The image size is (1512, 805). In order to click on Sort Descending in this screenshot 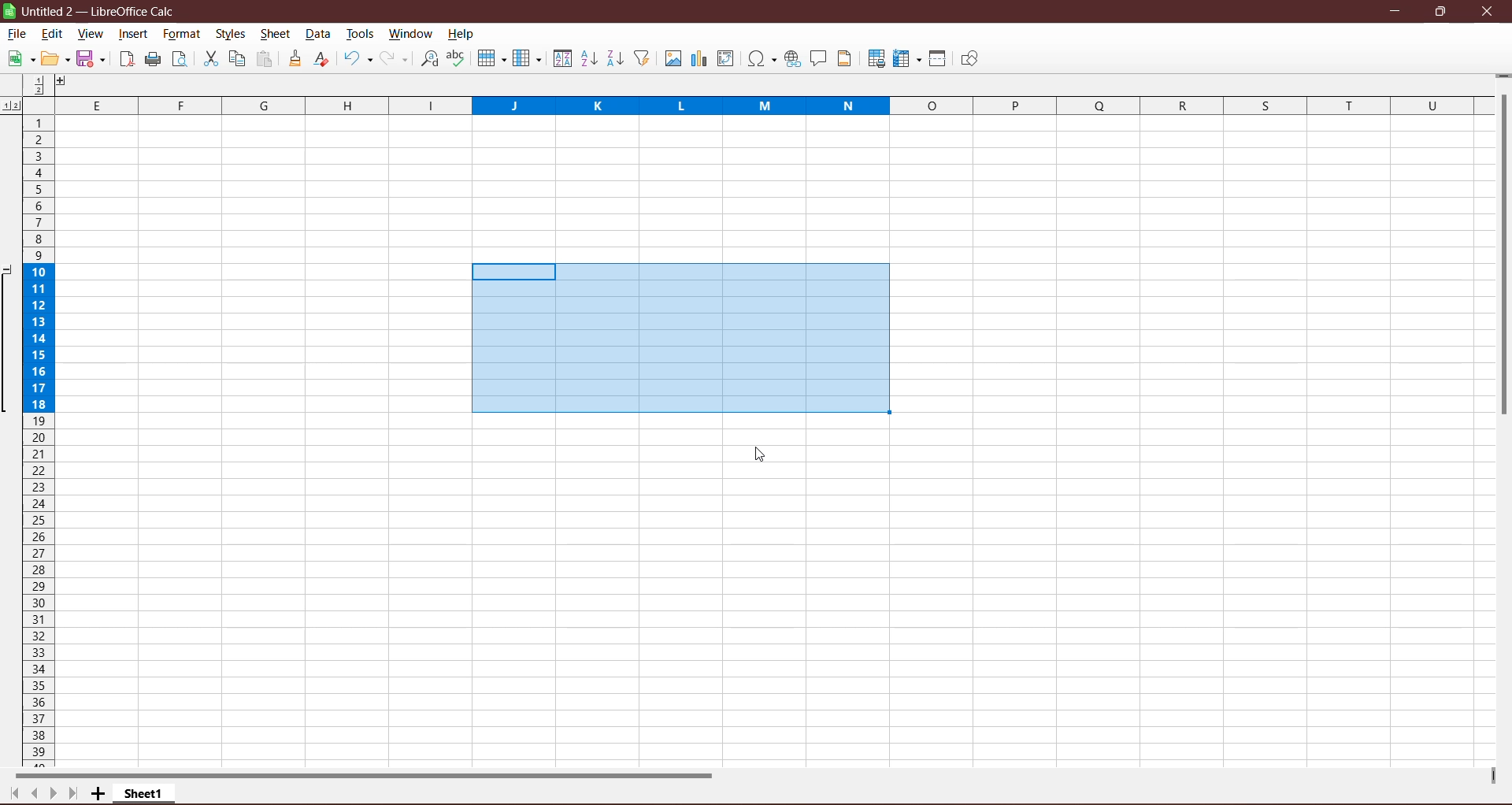, I will do `click(616, 58)`.